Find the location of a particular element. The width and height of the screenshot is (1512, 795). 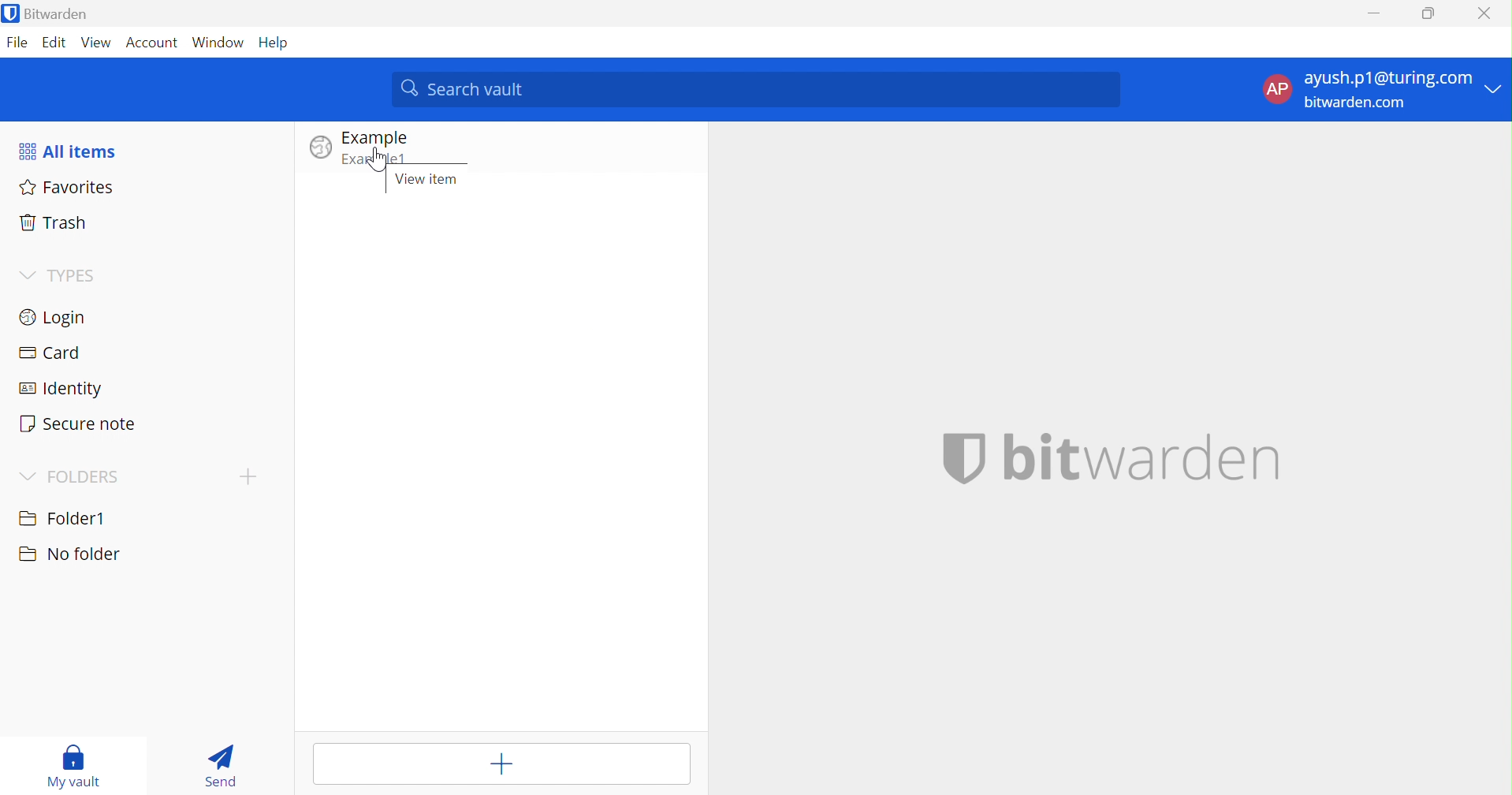

Image is located at coordinates (321, 148).